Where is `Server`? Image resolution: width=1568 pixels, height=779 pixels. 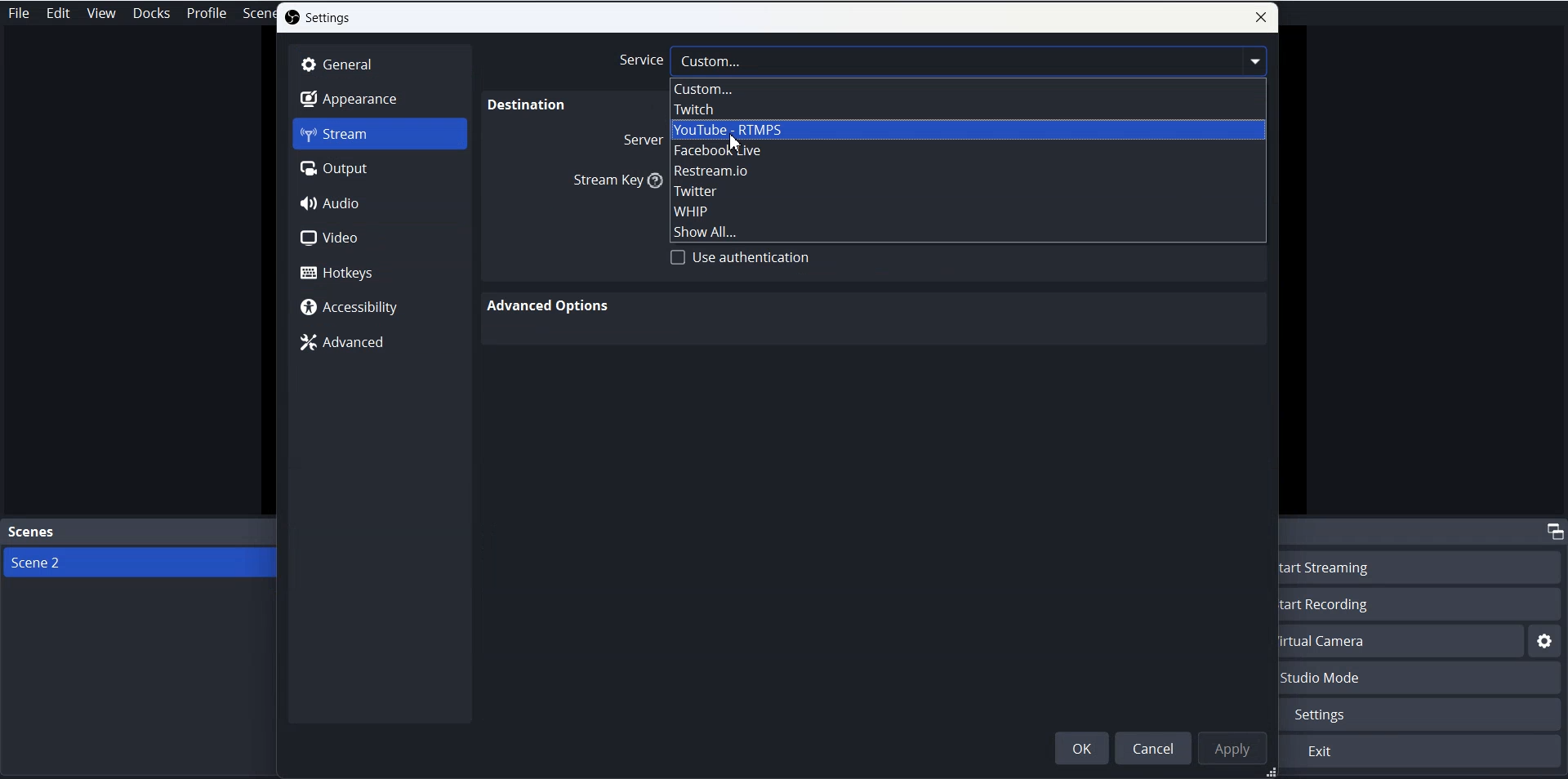 Server is located at coordinates (639, 142).